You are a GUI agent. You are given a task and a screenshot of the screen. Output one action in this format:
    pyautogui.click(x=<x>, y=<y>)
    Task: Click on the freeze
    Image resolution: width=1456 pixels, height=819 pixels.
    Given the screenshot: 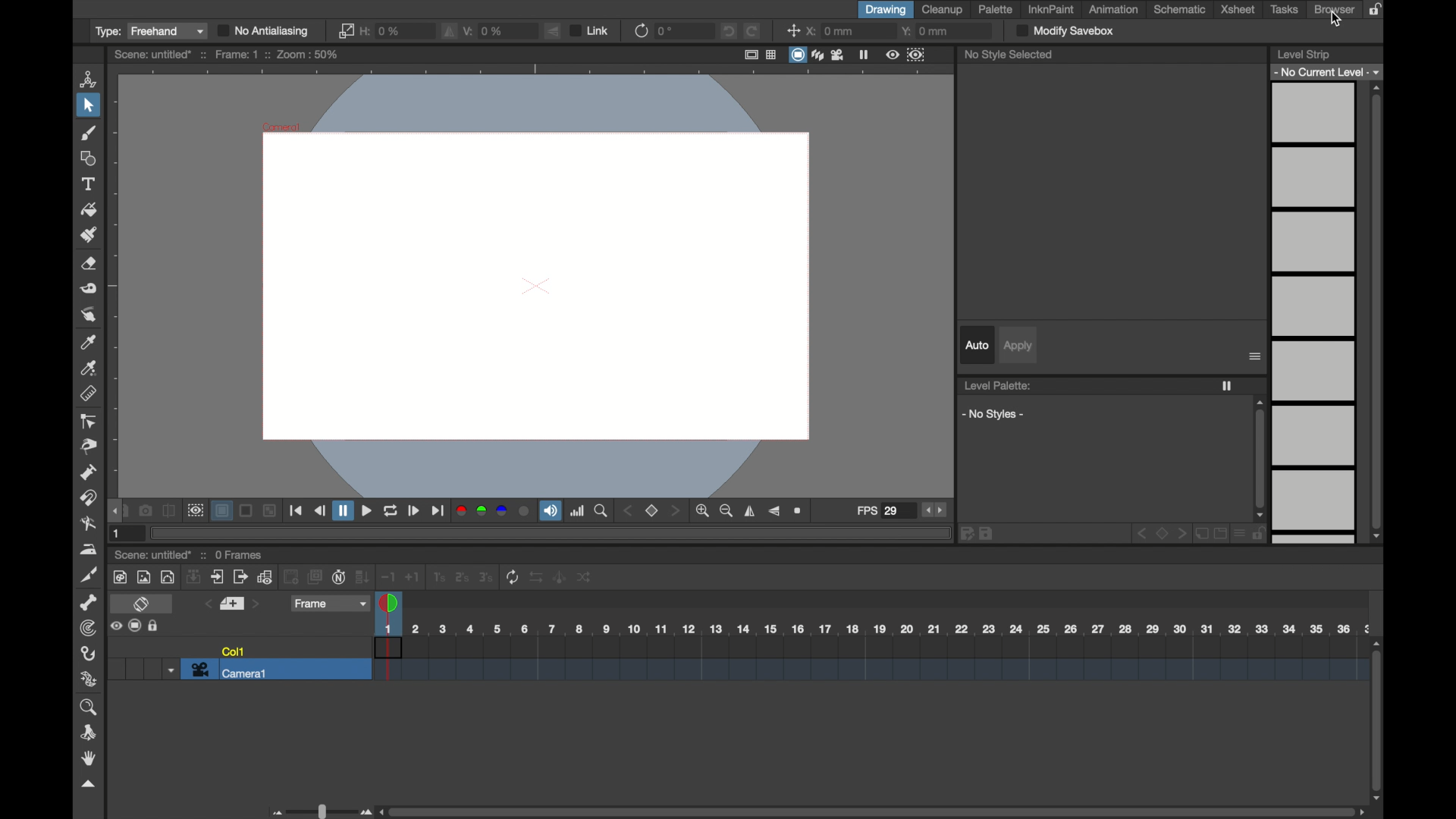 What is the action you would take?
    pyautogui.click(x=1228, y=387)
    